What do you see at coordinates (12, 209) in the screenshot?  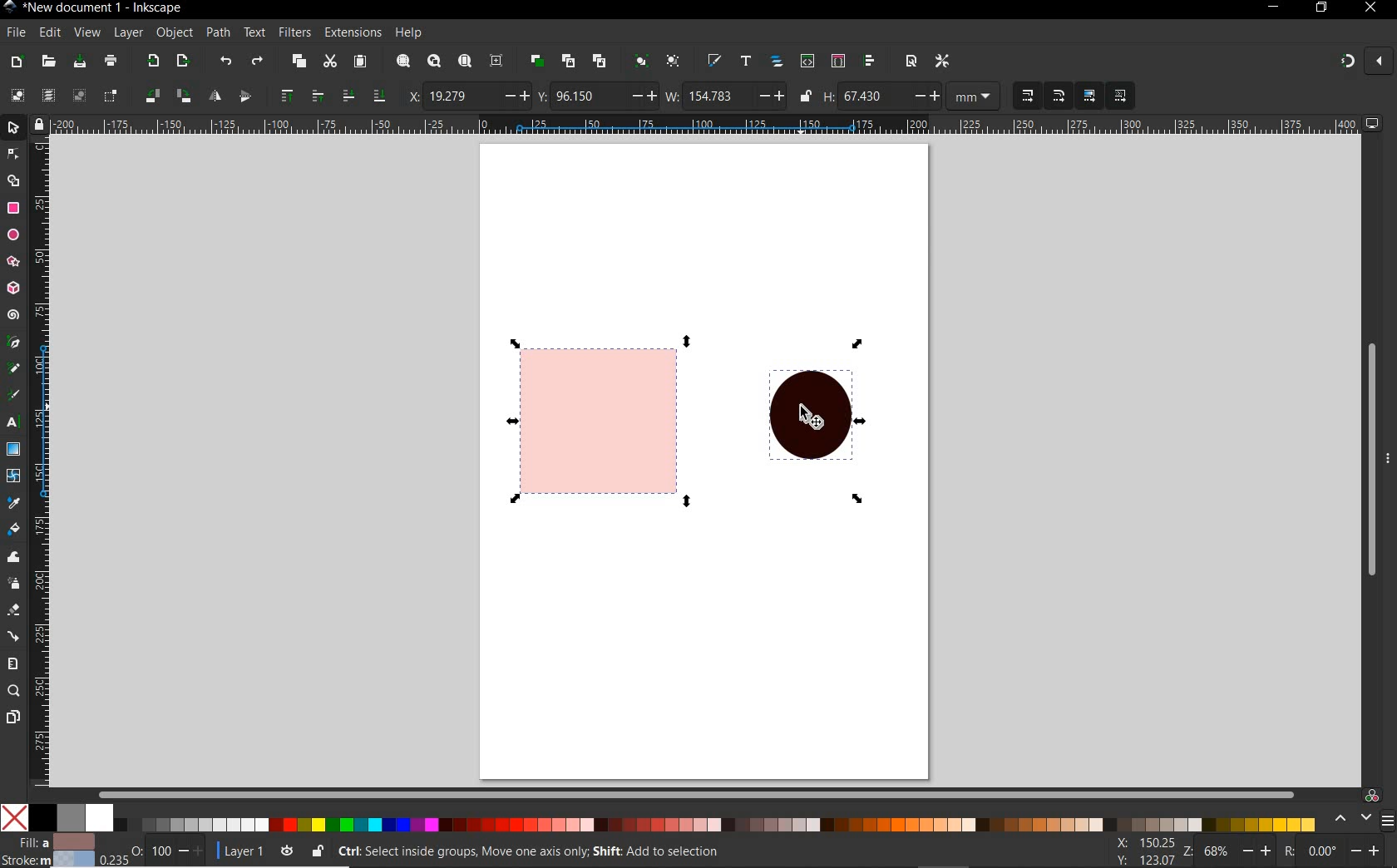 I see `rectangle tool` at bounding box center [12, 209].